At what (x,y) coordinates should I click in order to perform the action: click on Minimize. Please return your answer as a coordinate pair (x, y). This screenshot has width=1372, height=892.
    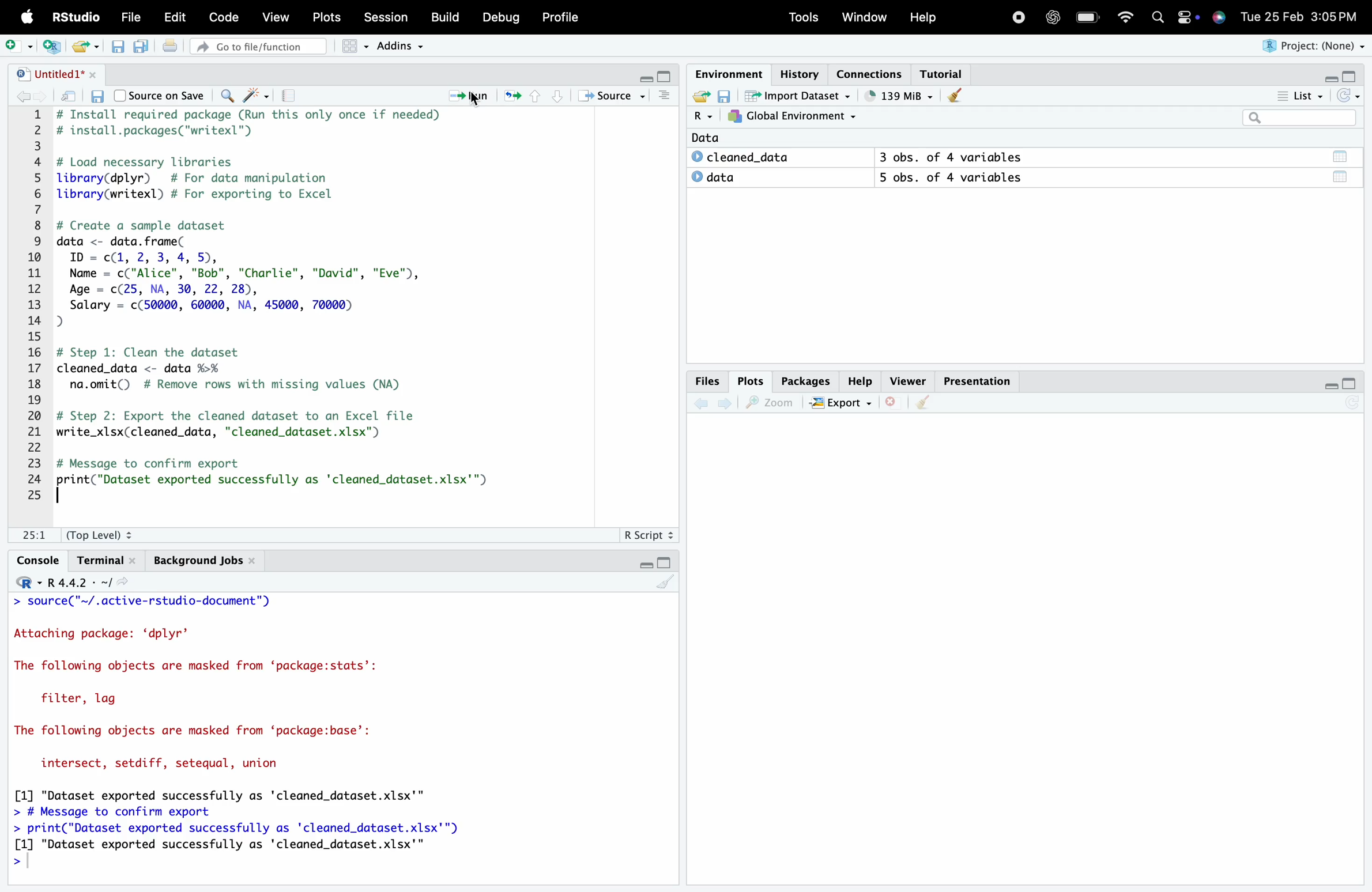
    Looking at the image, I should click on (646, 565).